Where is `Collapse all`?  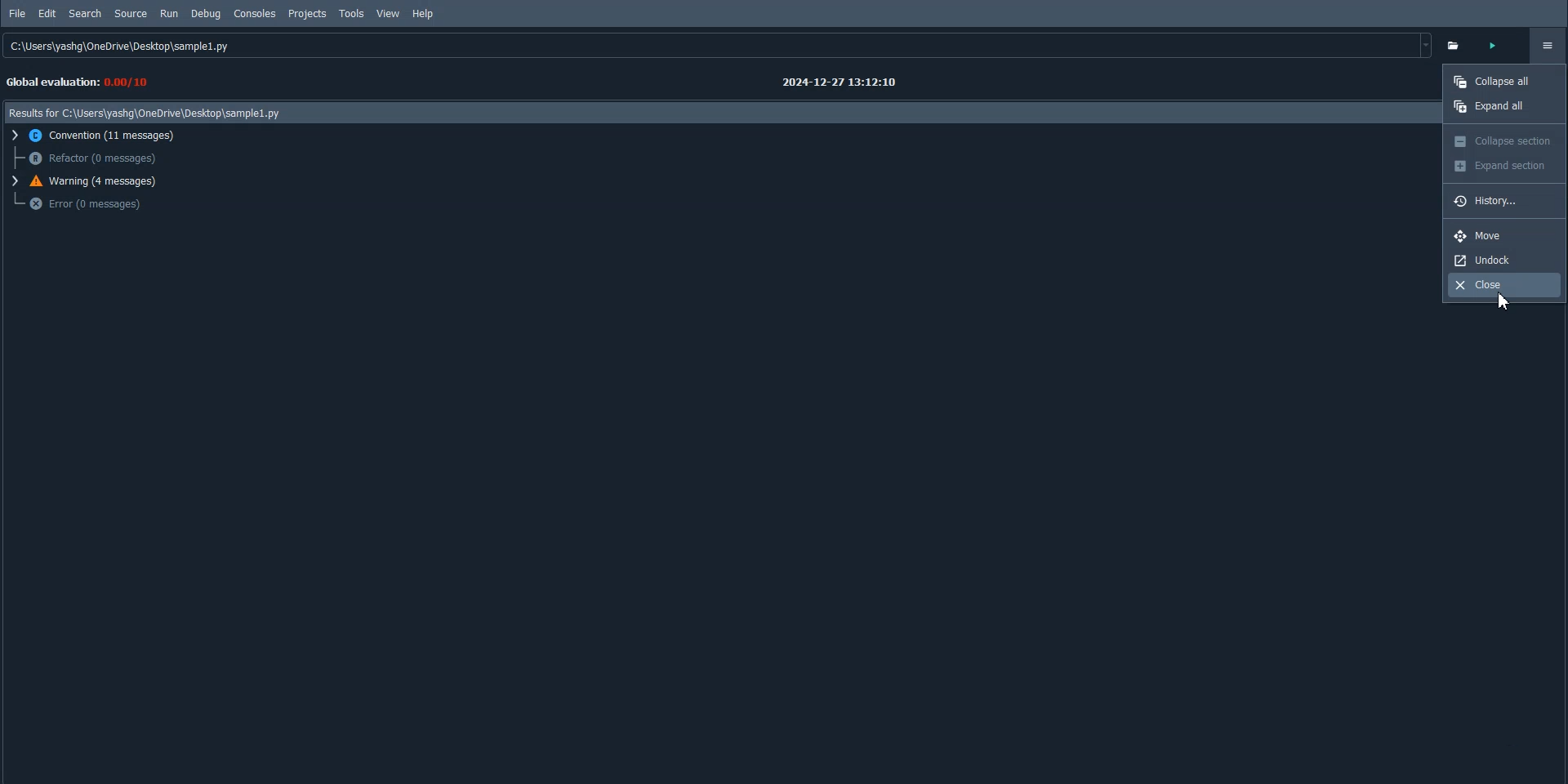 Collapse all is located at coordinates (1503, 81).